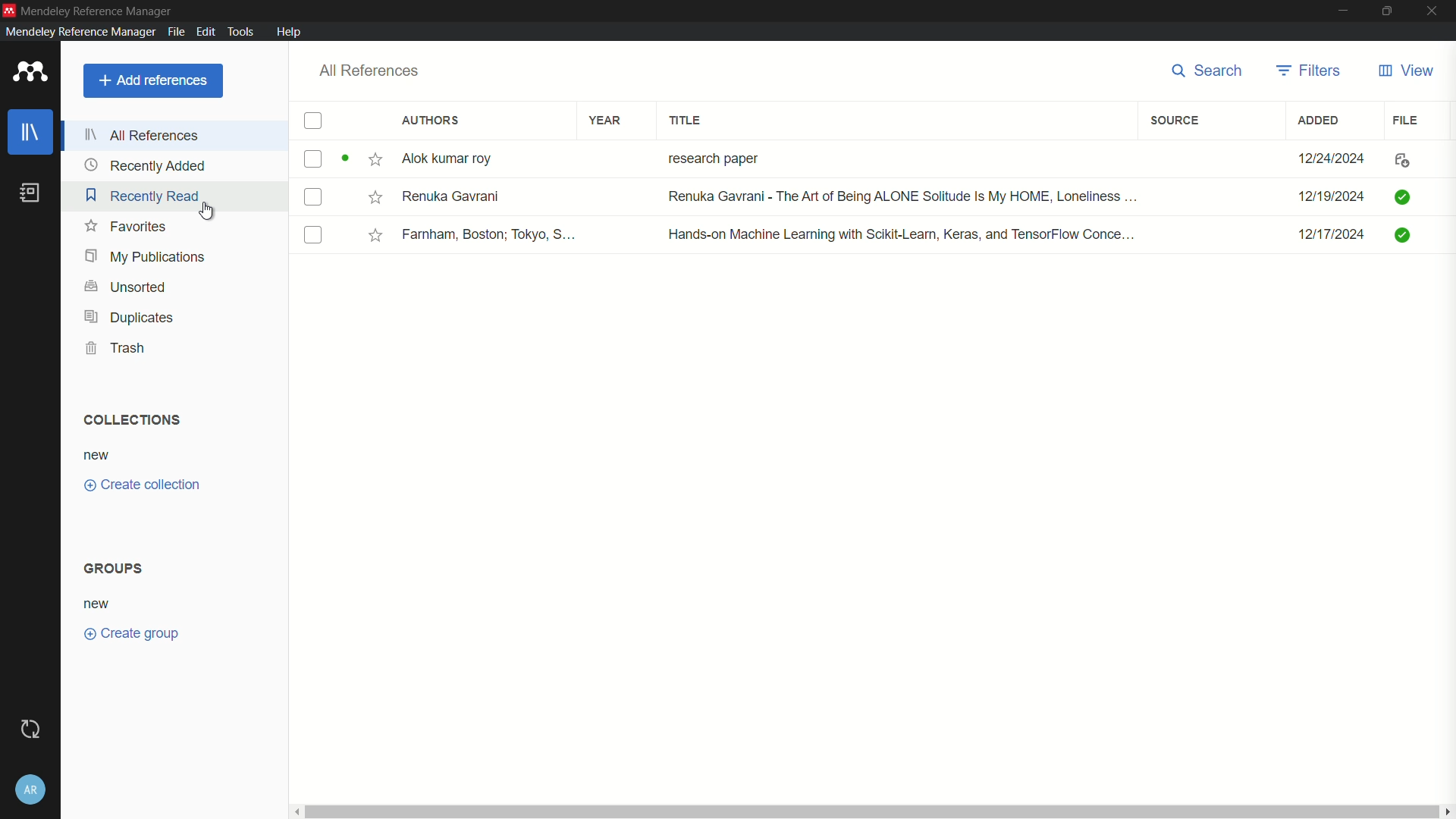 The height and width of the screenshot is (819, 1456). I want to click on Renuka Gawani, so click(479, 197).